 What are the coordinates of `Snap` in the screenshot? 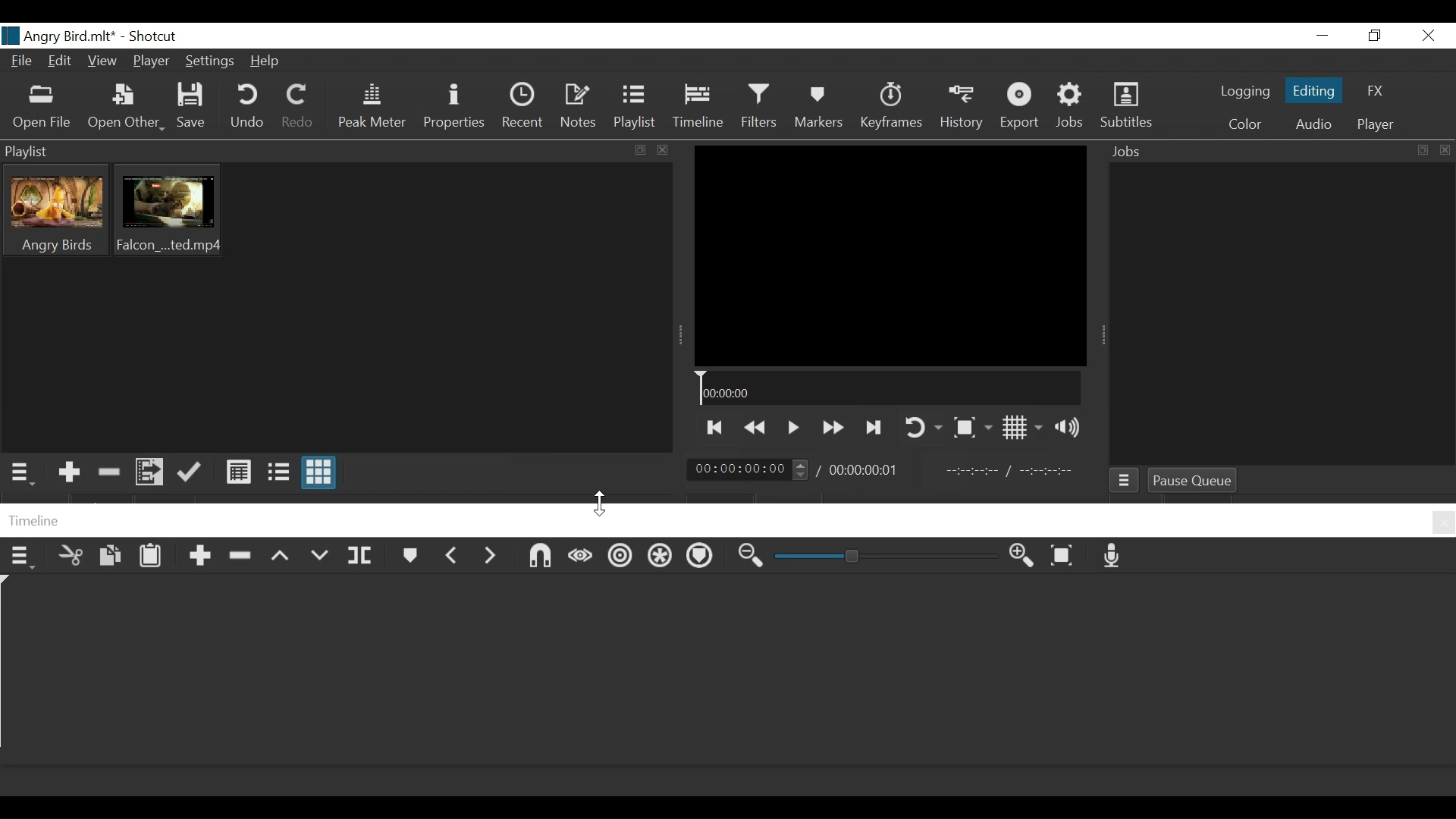 It's located at (541, 558).